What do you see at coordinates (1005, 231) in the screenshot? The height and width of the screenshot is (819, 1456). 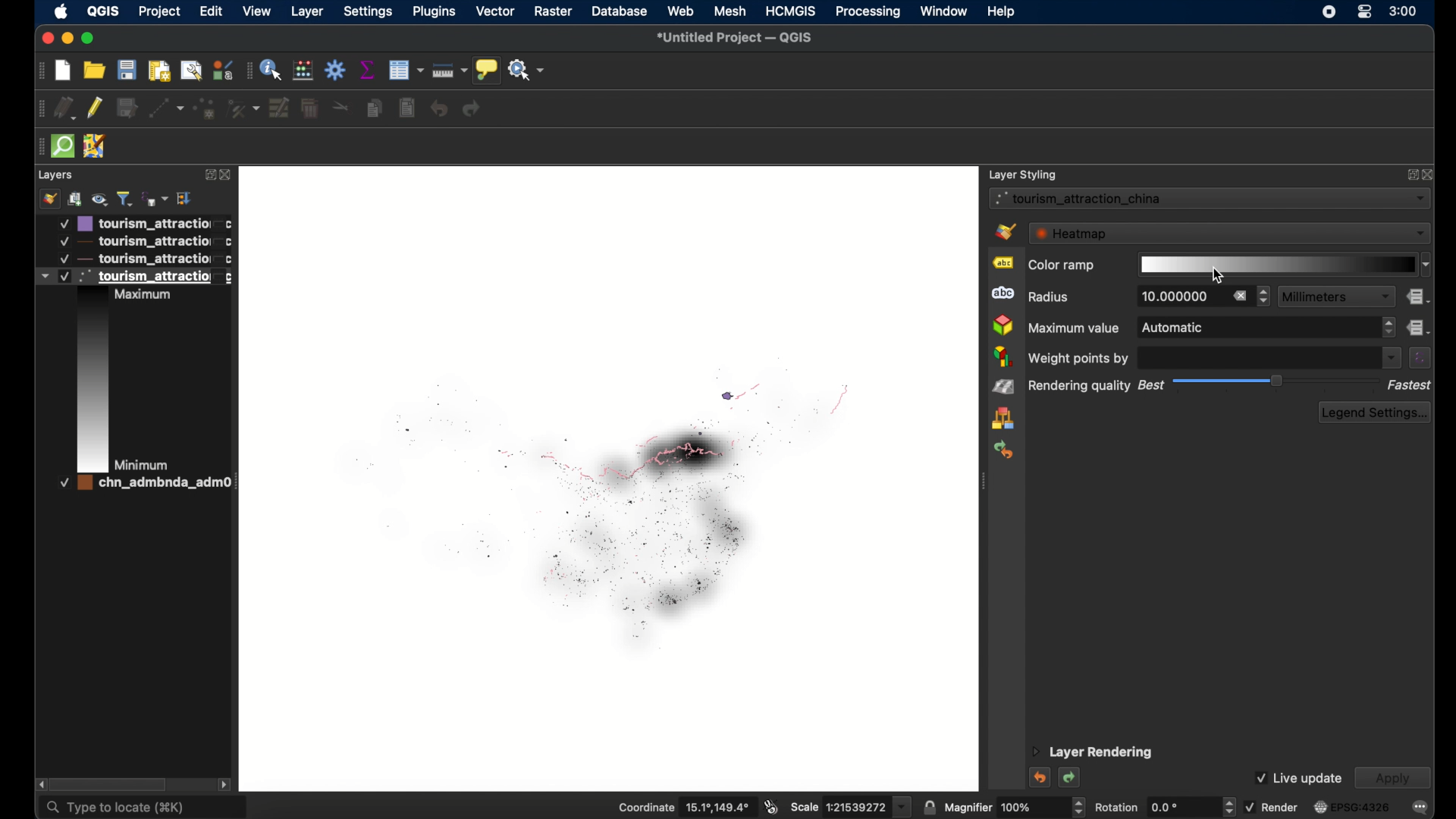 I see `symbology` at bounding box center [1005, 231].